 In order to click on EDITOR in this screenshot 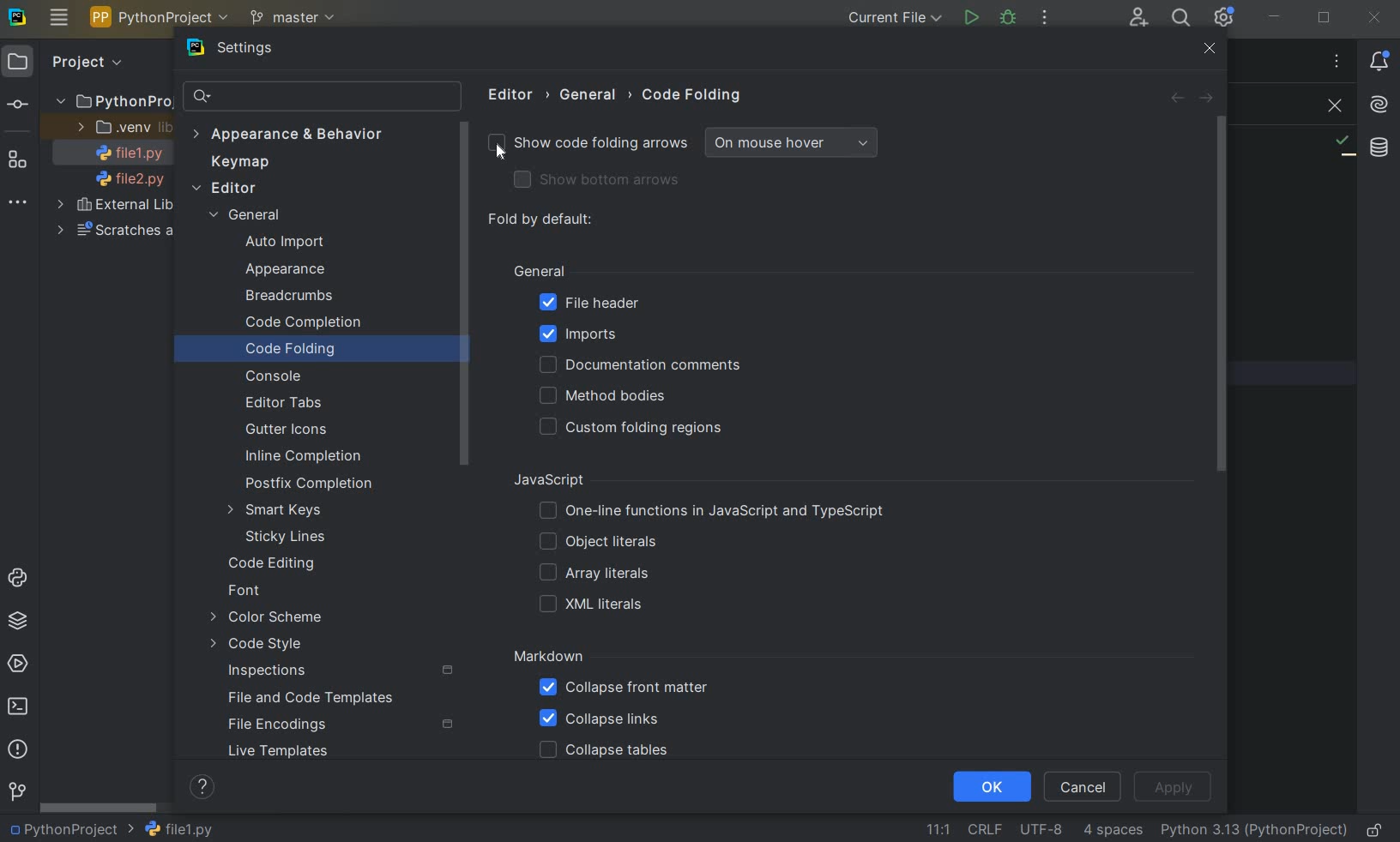, I will do `click(226, 189)`.